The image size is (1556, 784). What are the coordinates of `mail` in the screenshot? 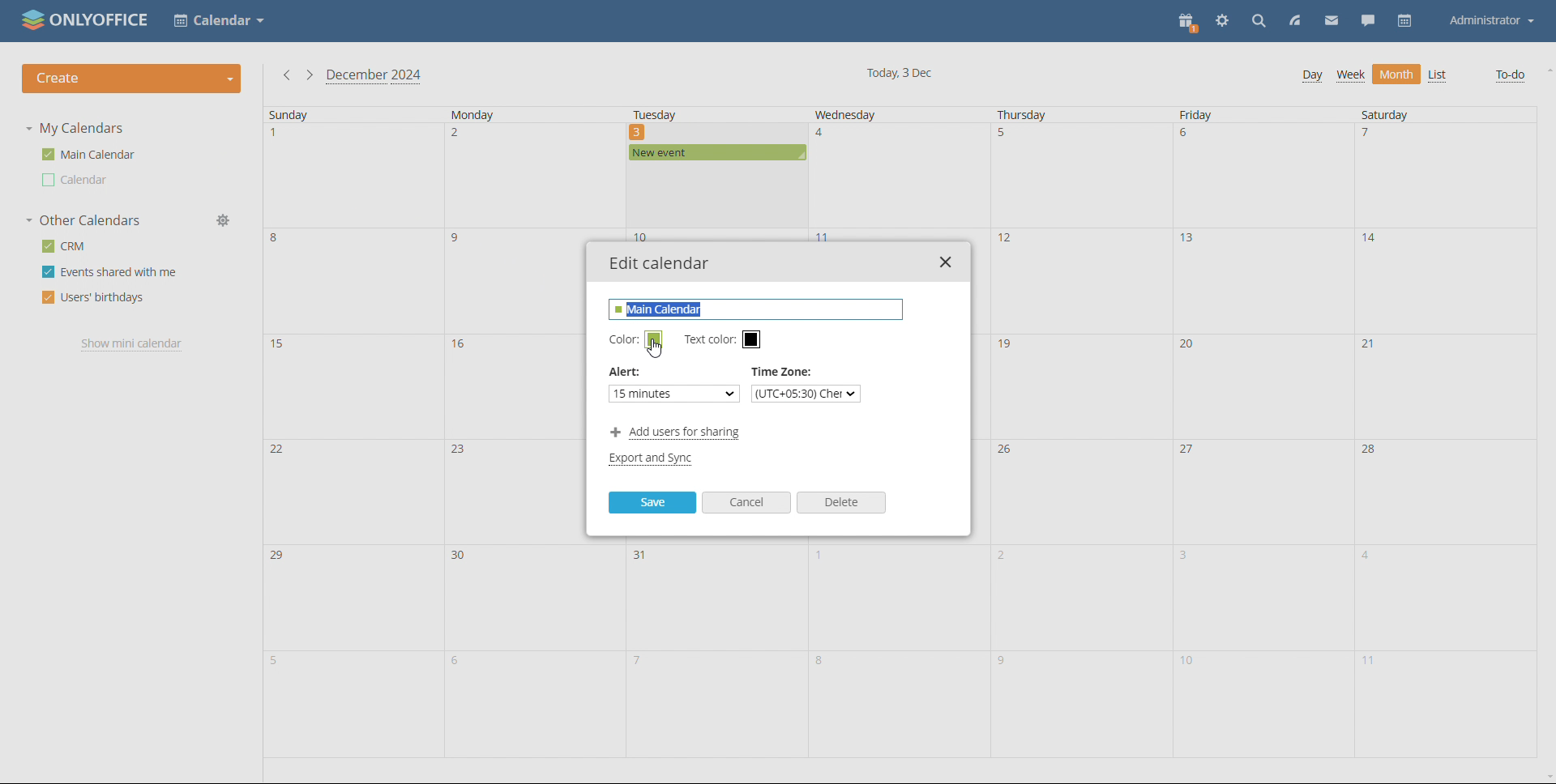 It's located at (1332, 22).